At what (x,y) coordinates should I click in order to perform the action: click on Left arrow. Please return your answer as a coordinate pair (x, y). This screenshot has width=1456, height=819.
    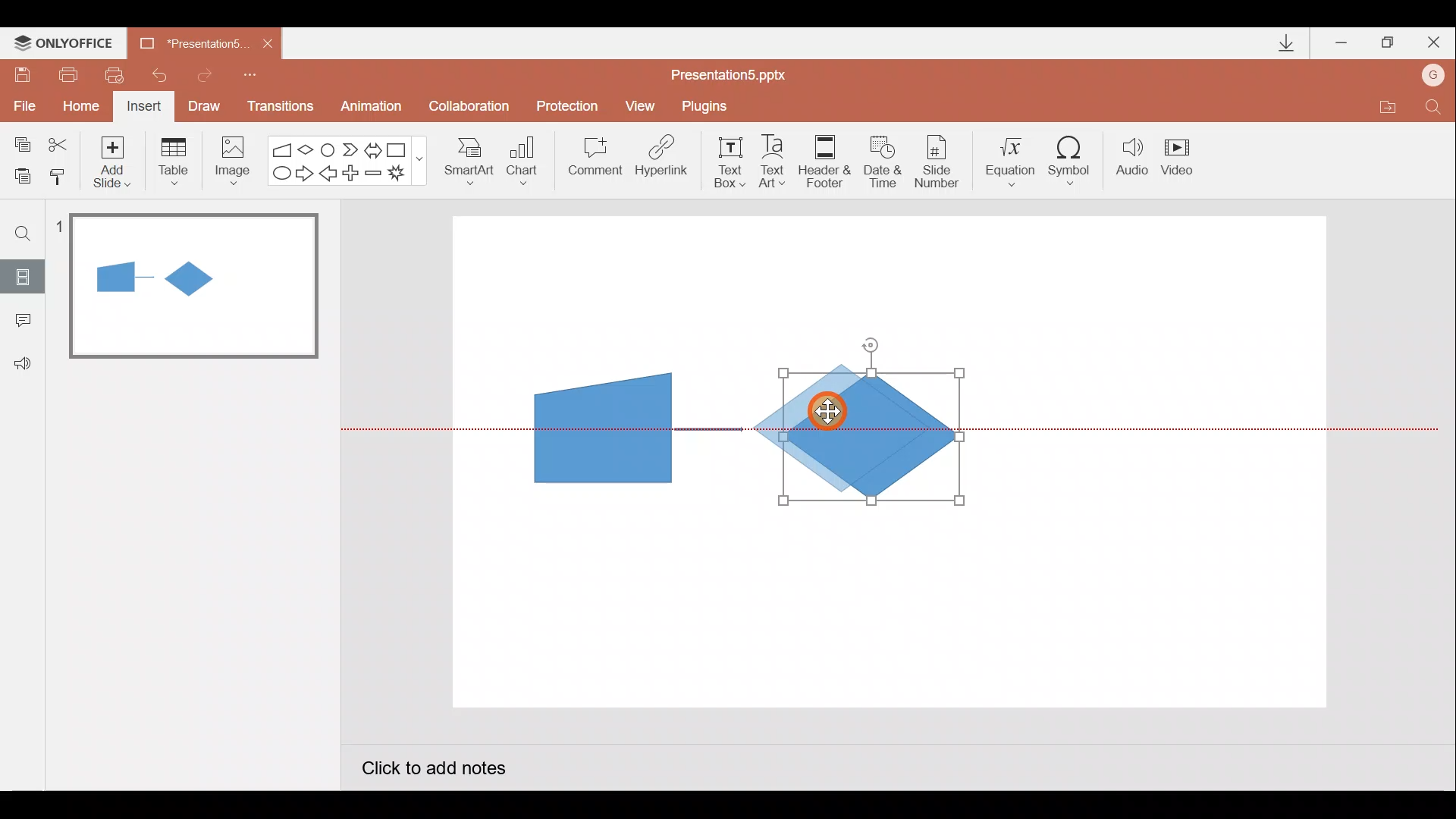
    Looking at the image, I should click on (329, 175).